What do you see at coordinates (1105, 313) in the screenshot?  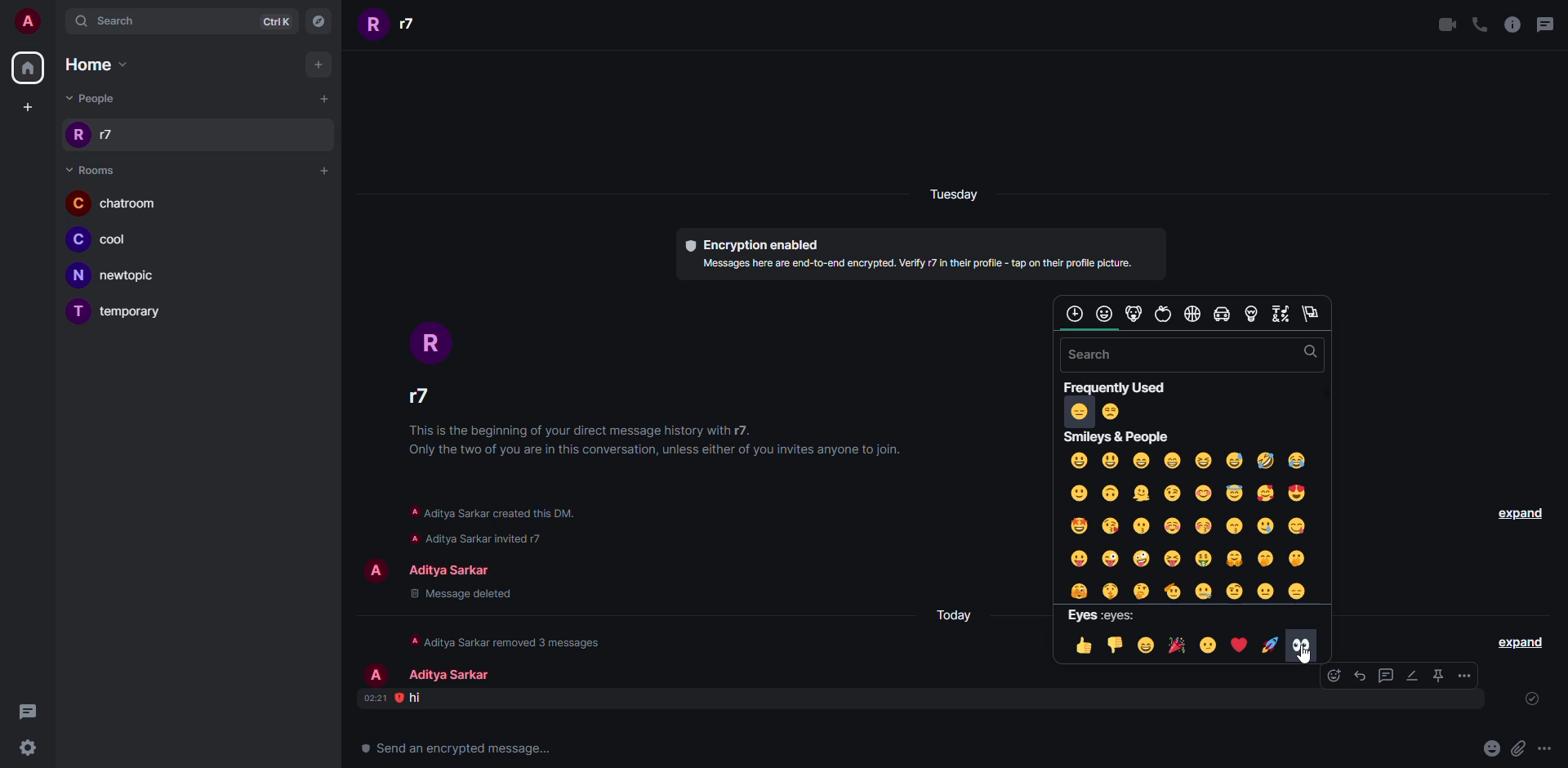 I see `category` at bounding box center [1105, 313].